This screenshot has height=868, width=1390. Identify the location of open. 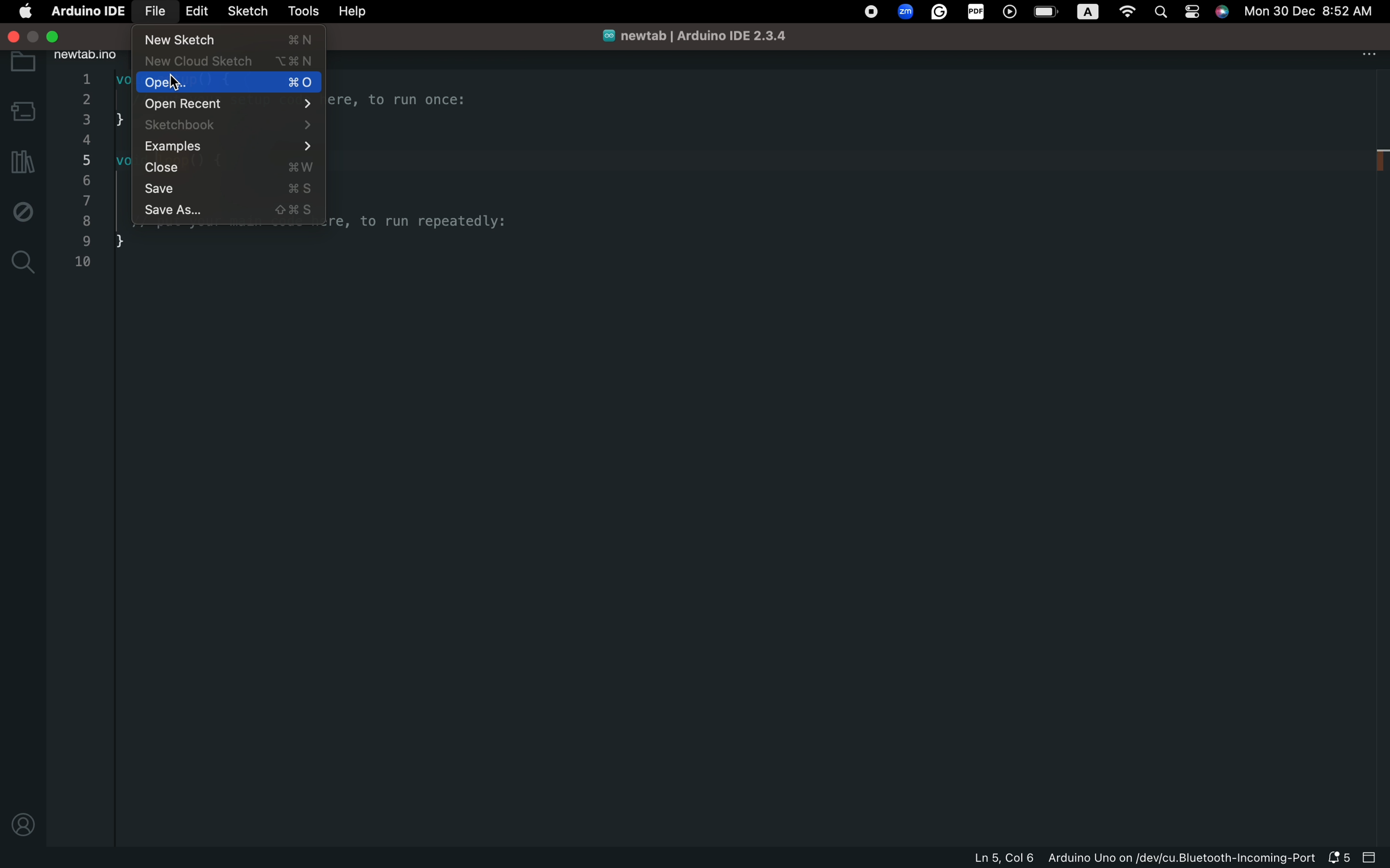
(227, 82).